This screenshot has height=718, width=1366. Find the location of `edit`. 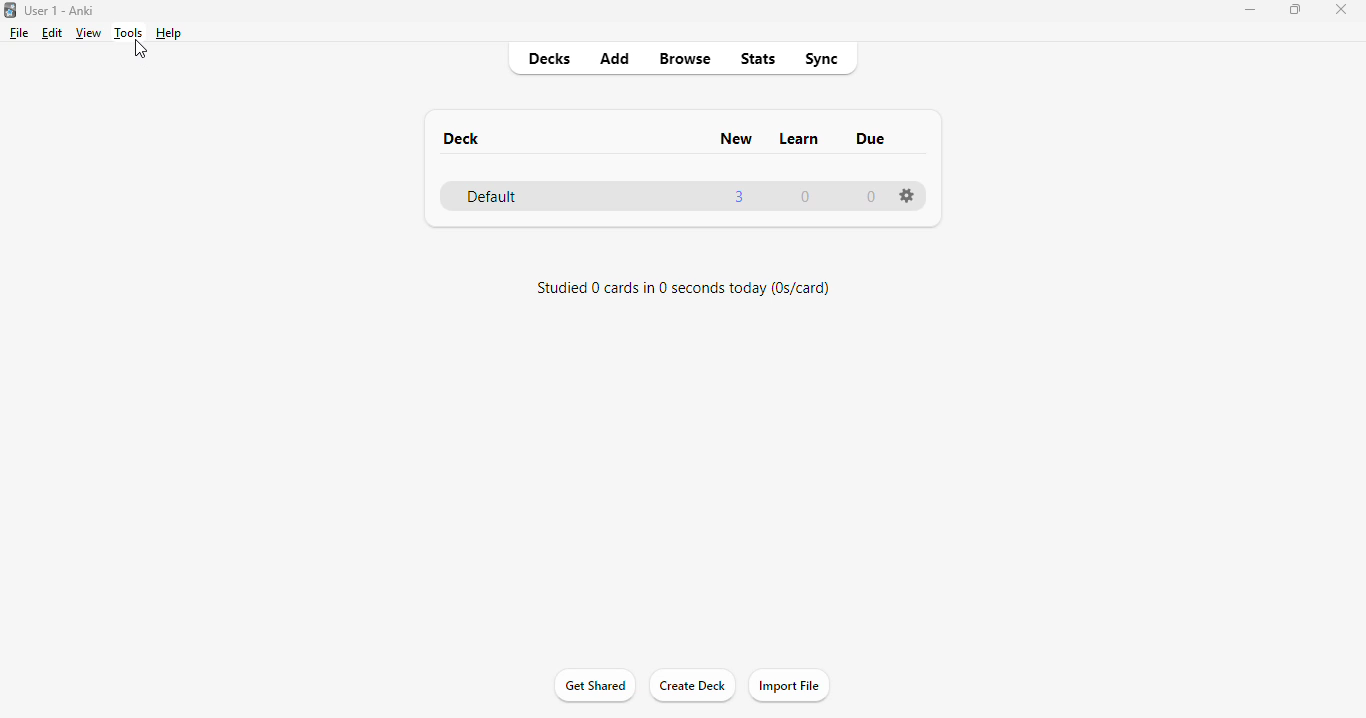

edit is located at coordinates (54, 33).